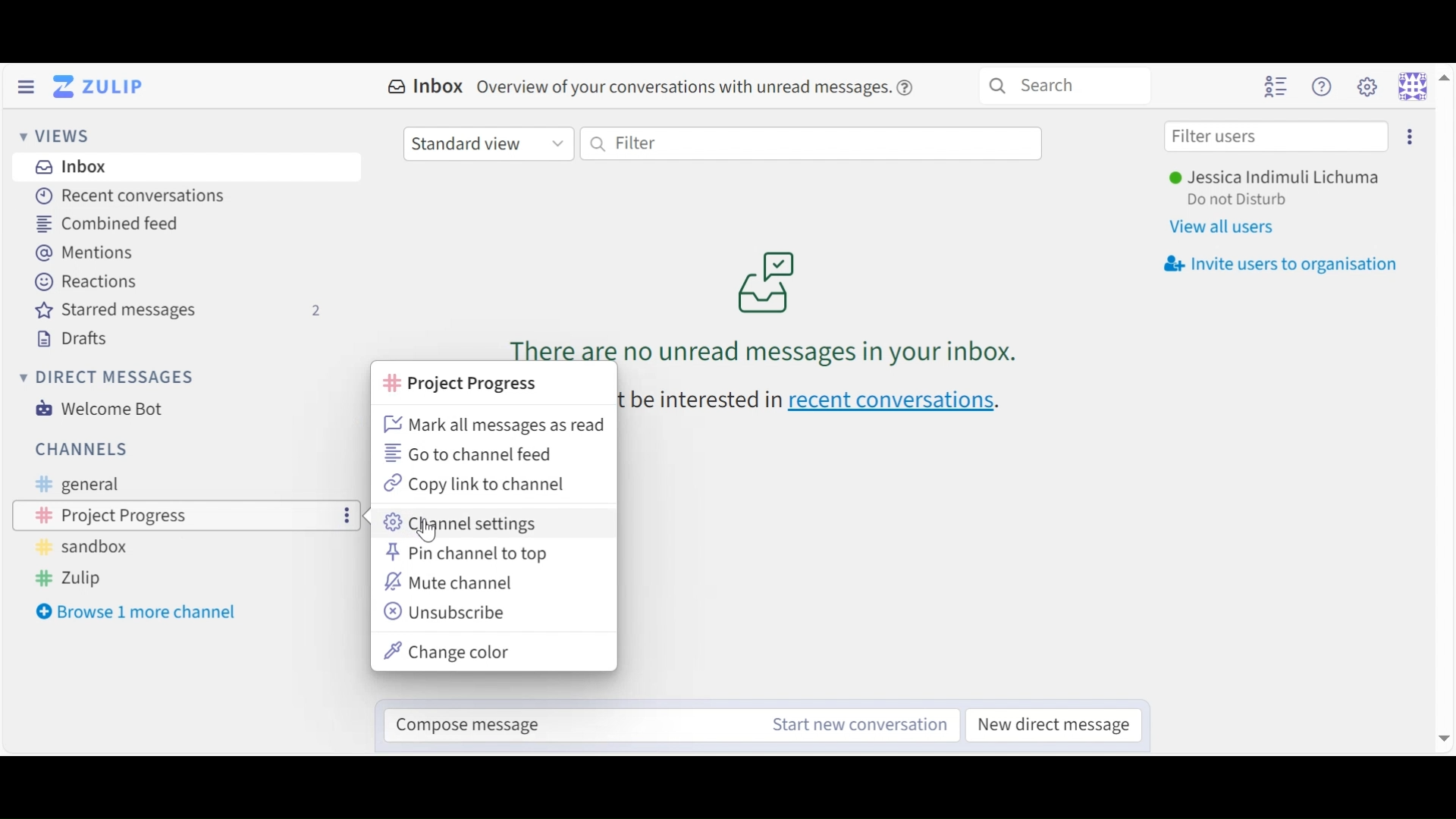 This screenshot has height=819, width=1456. I want to click on # general, so click(99, 486).